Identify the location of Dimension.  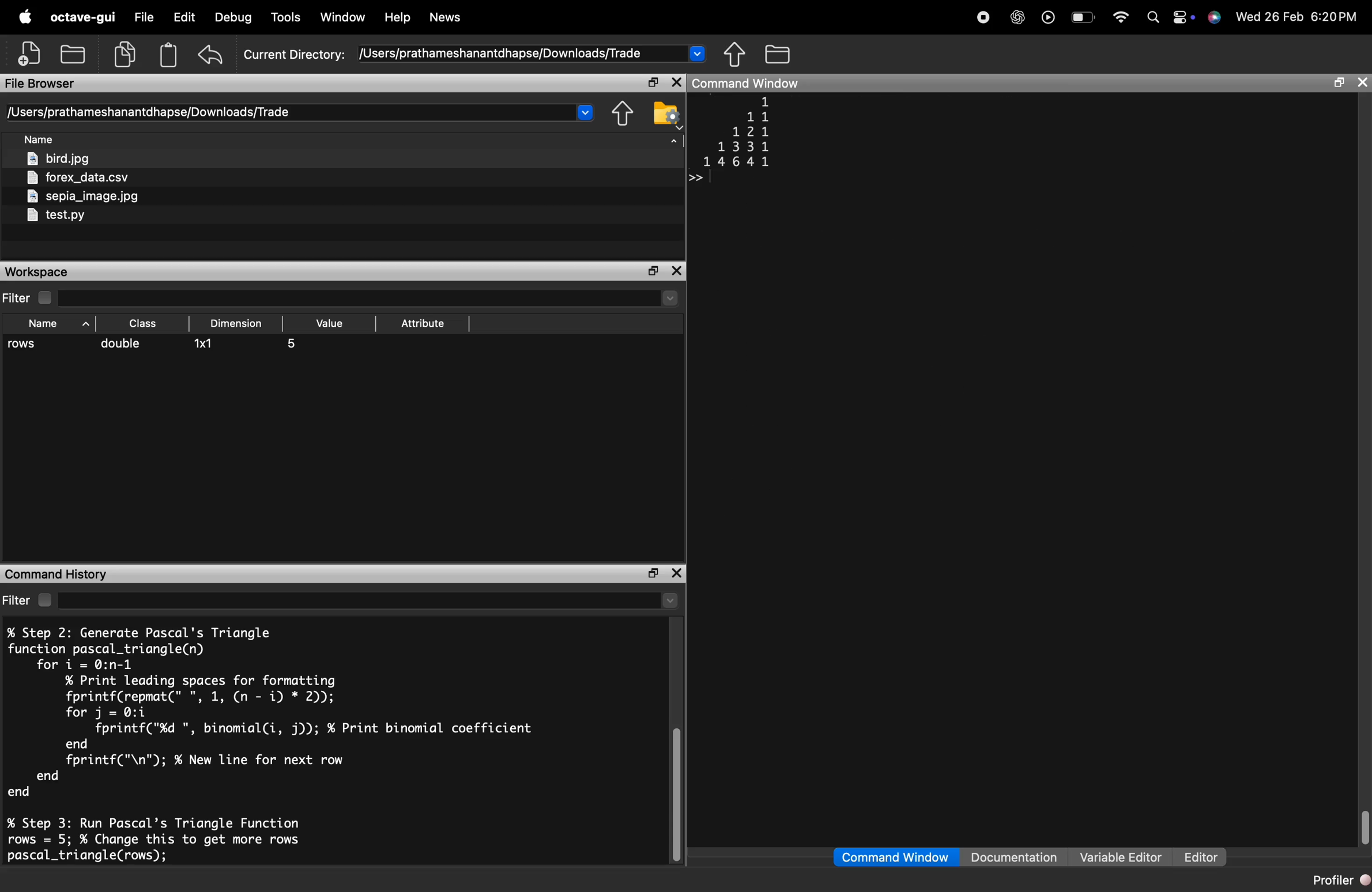
(235, 323).